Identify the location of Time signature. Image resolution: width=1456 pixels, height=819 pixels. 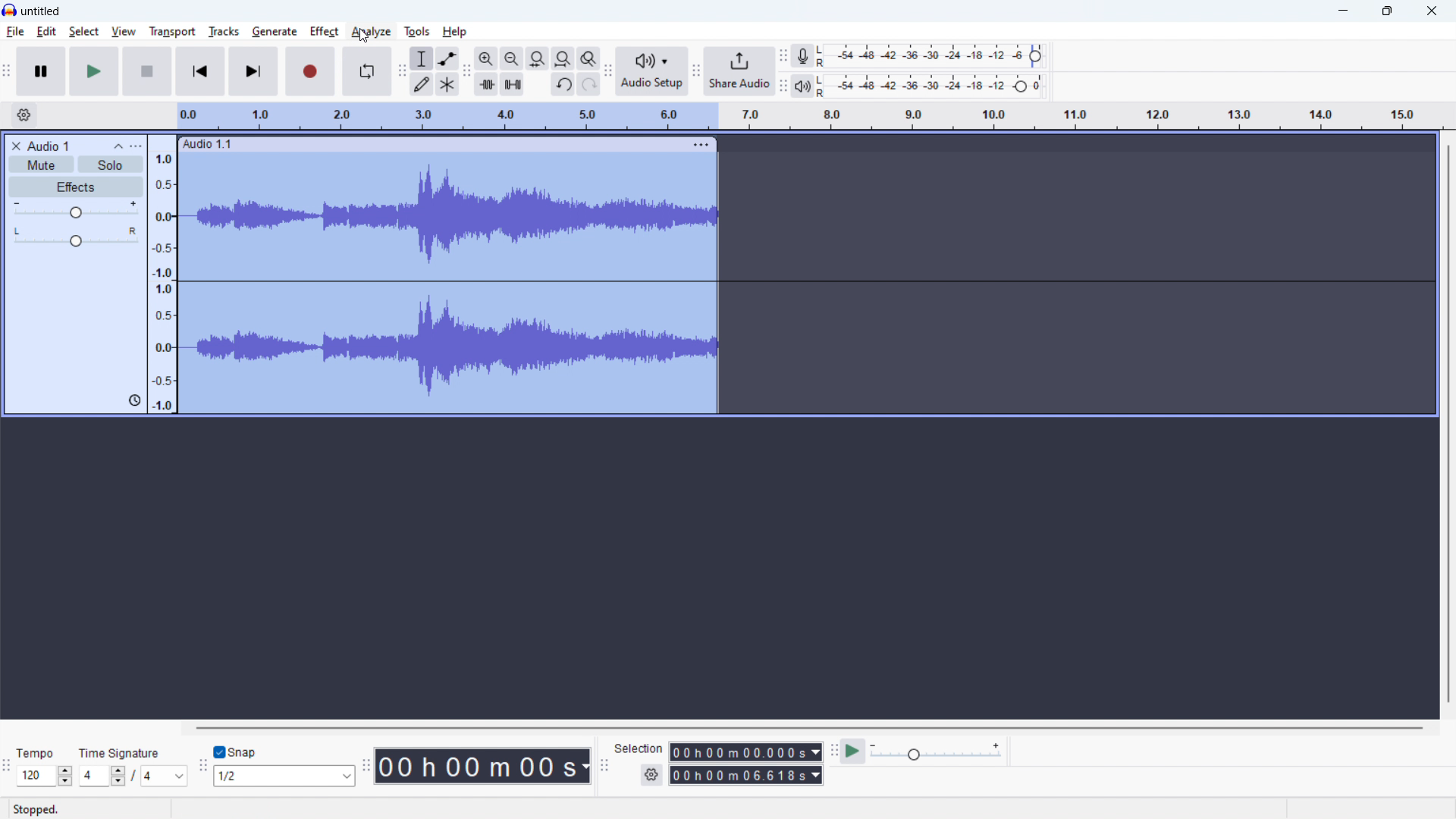
(126, 752).